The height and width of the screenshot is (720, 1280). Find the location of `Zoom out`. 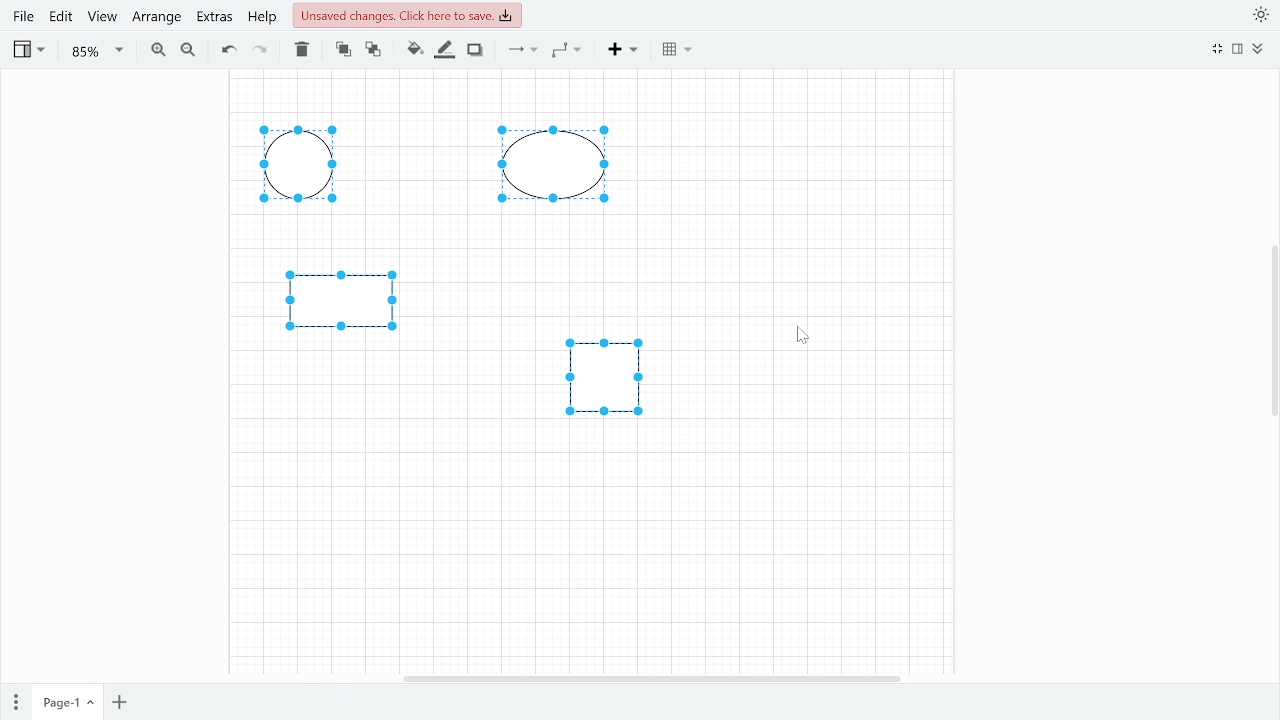

Zoom out is located at coordinates (187, 52).